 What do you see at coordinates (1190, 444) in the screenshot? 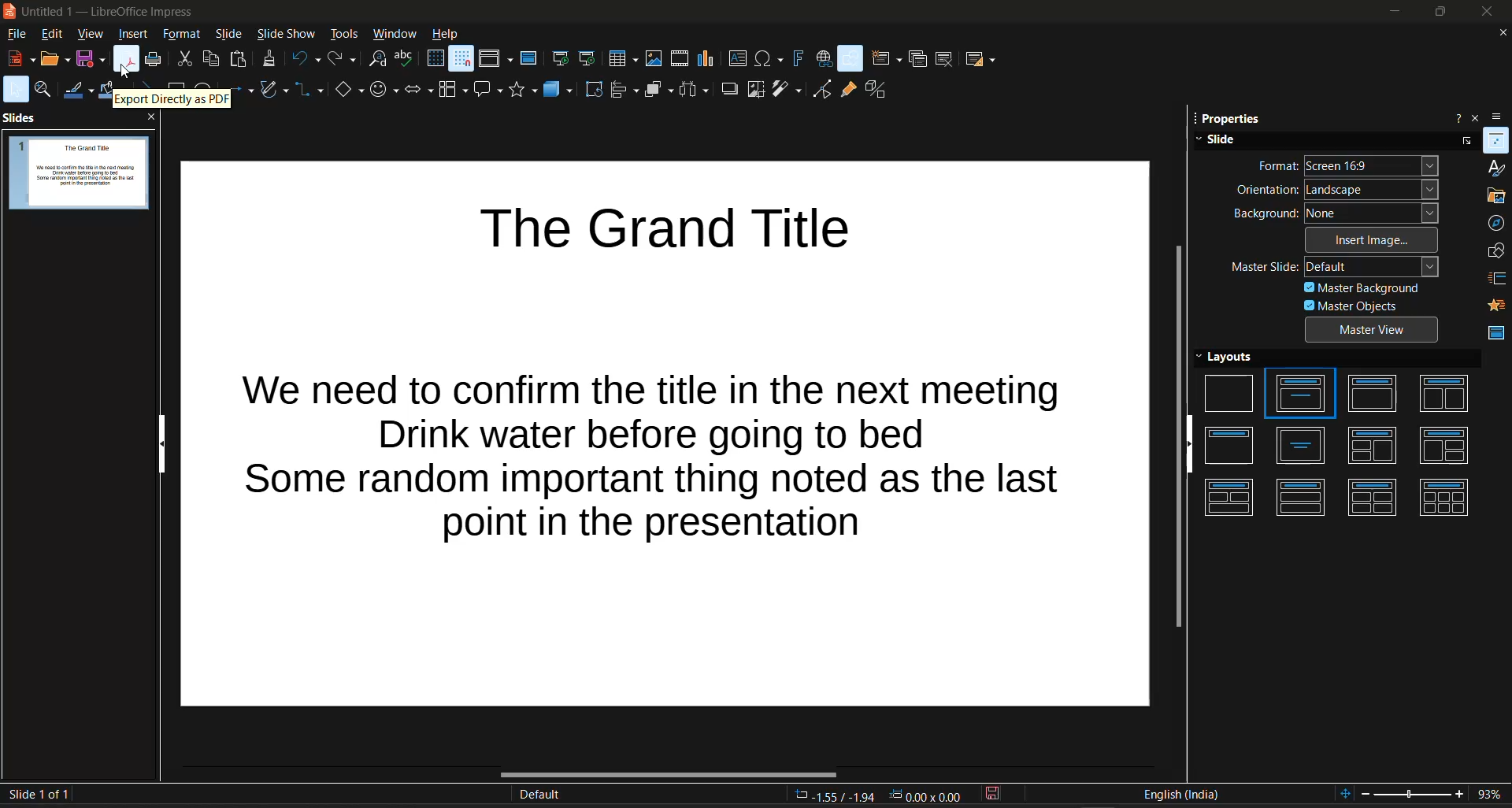
I see `hide` at bounding box center [1190, 444].